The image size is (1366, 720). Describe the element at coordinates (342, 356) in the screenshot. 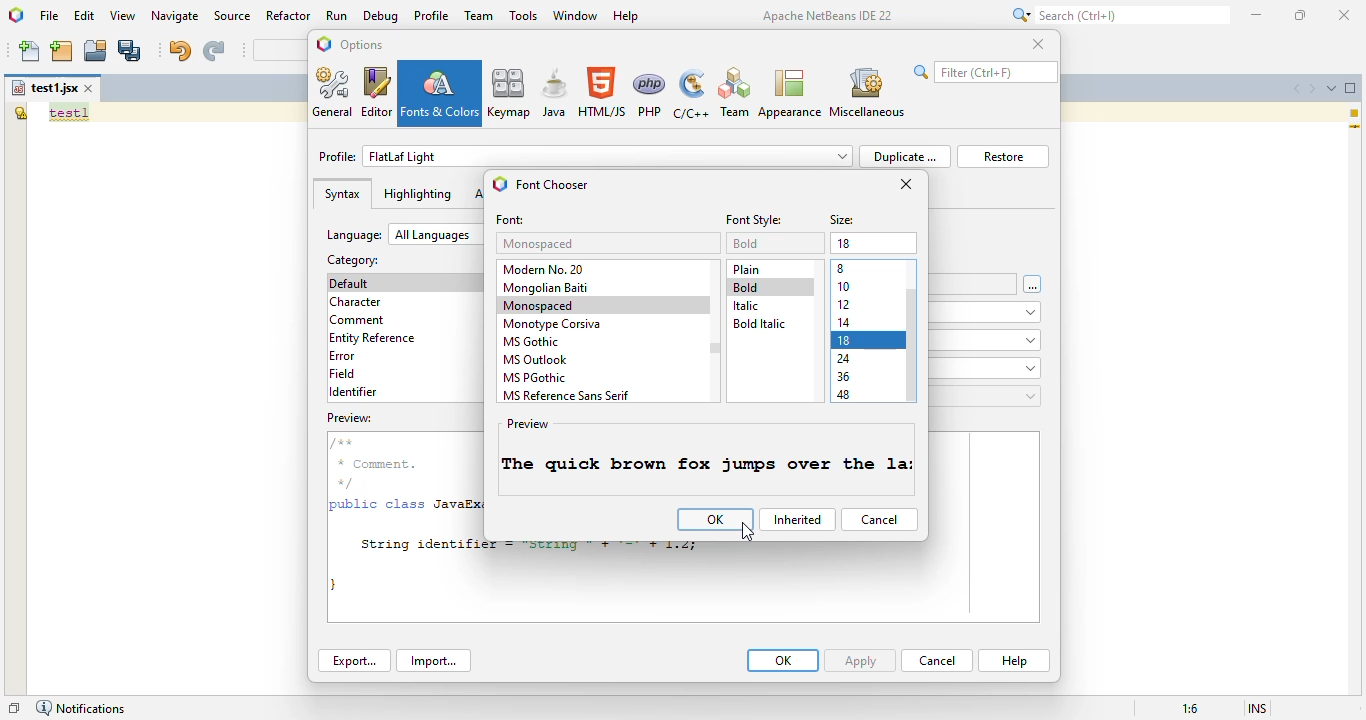

I see `error` at that location.